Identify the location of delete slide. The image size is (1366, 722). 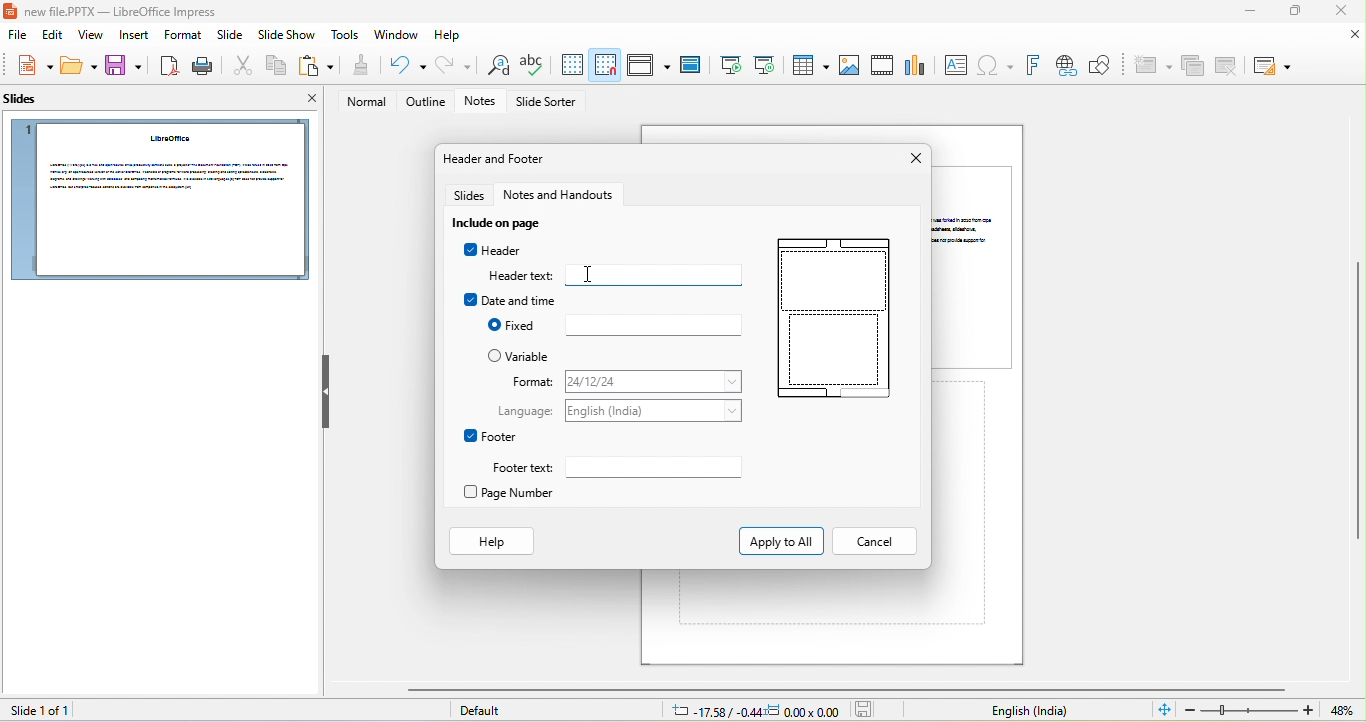
(1227, 65).